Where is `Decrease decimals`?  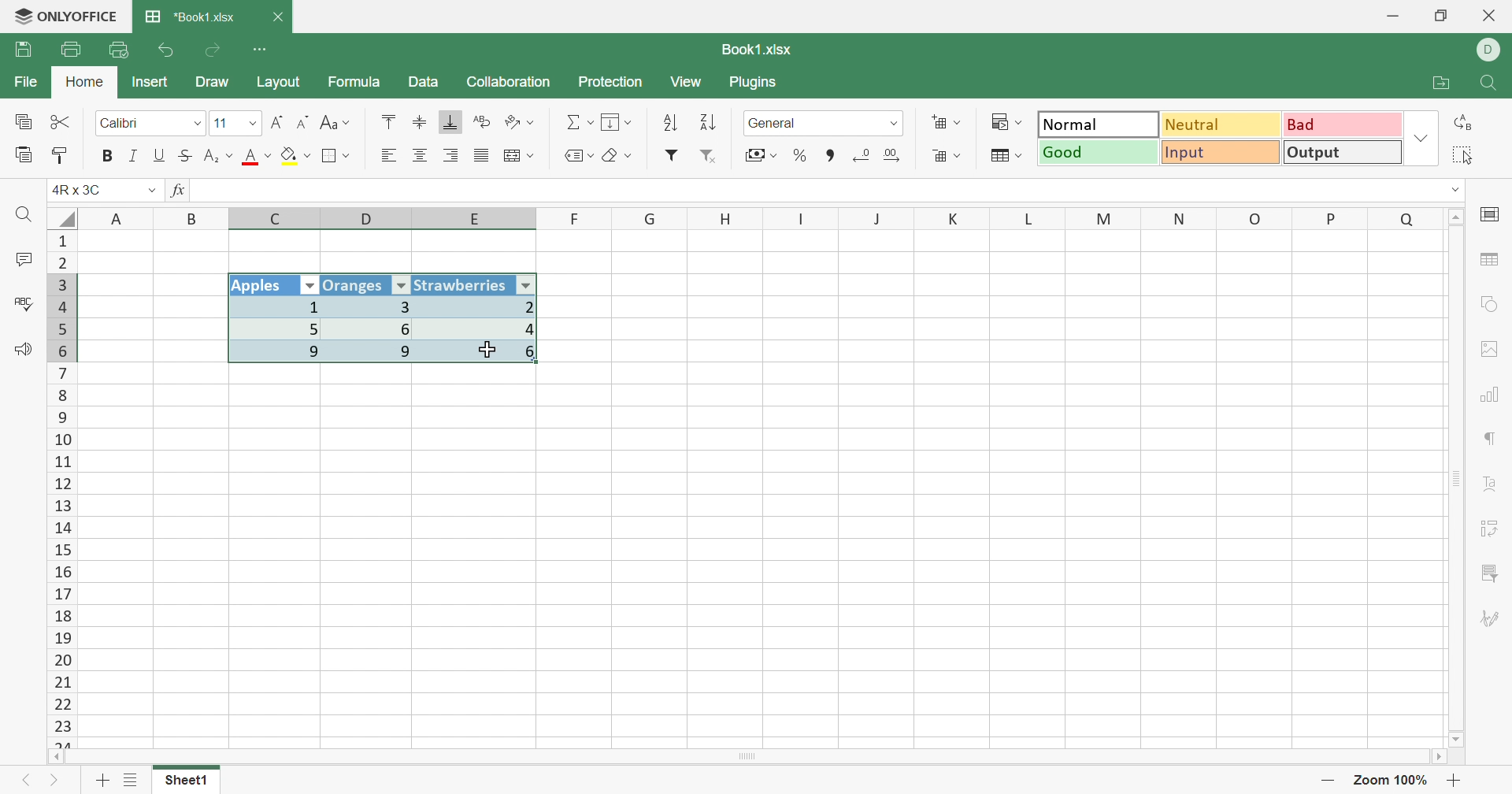 Decrease decimals is located at coordinates (862, 154).